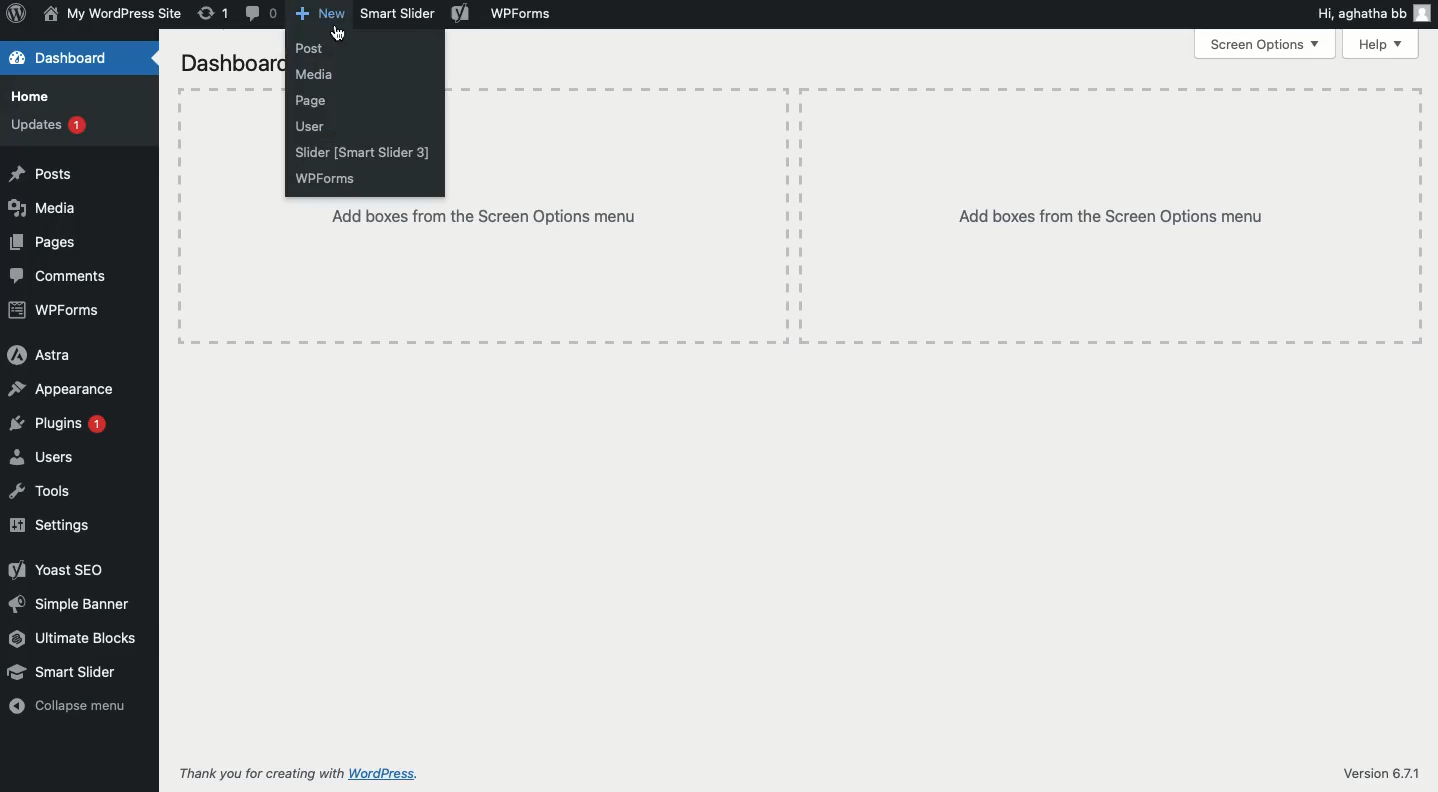  I want to click on Help, so click(1382, 45).